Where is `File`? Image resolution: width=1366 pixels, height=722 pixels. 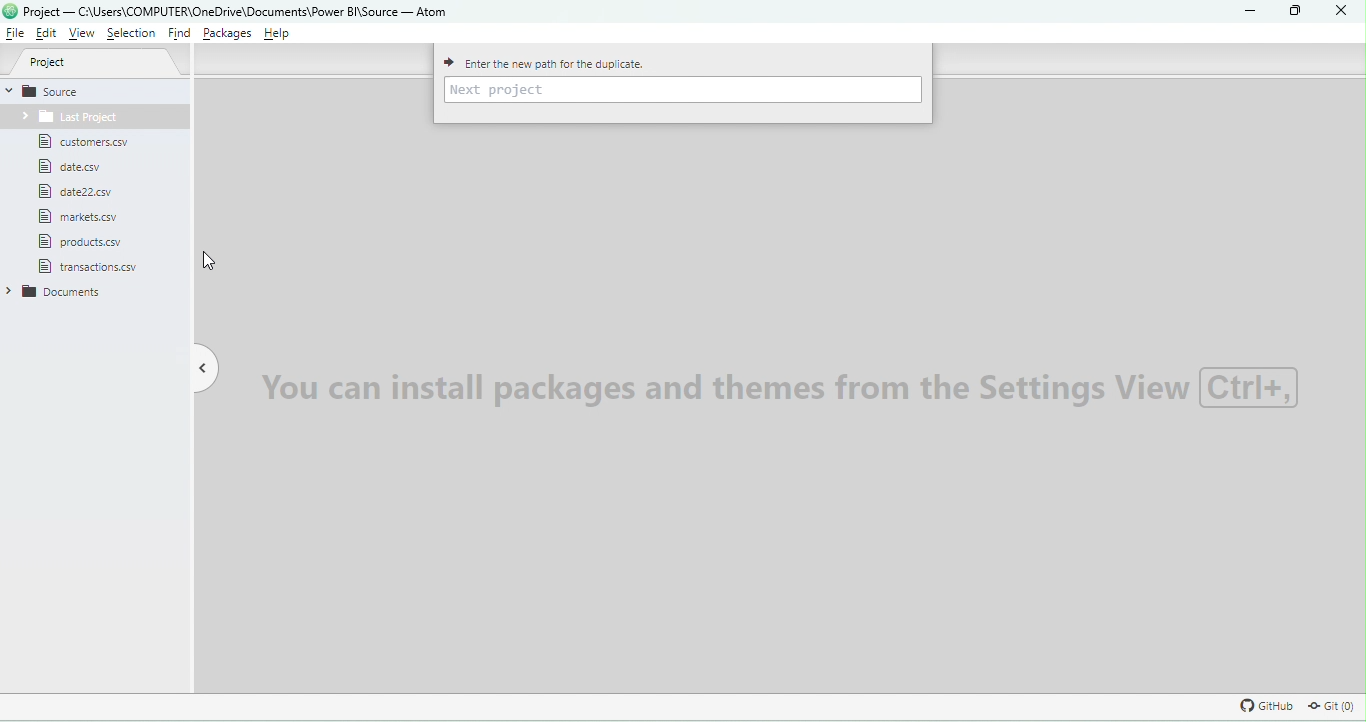
File is located at coordinates (79, 145).